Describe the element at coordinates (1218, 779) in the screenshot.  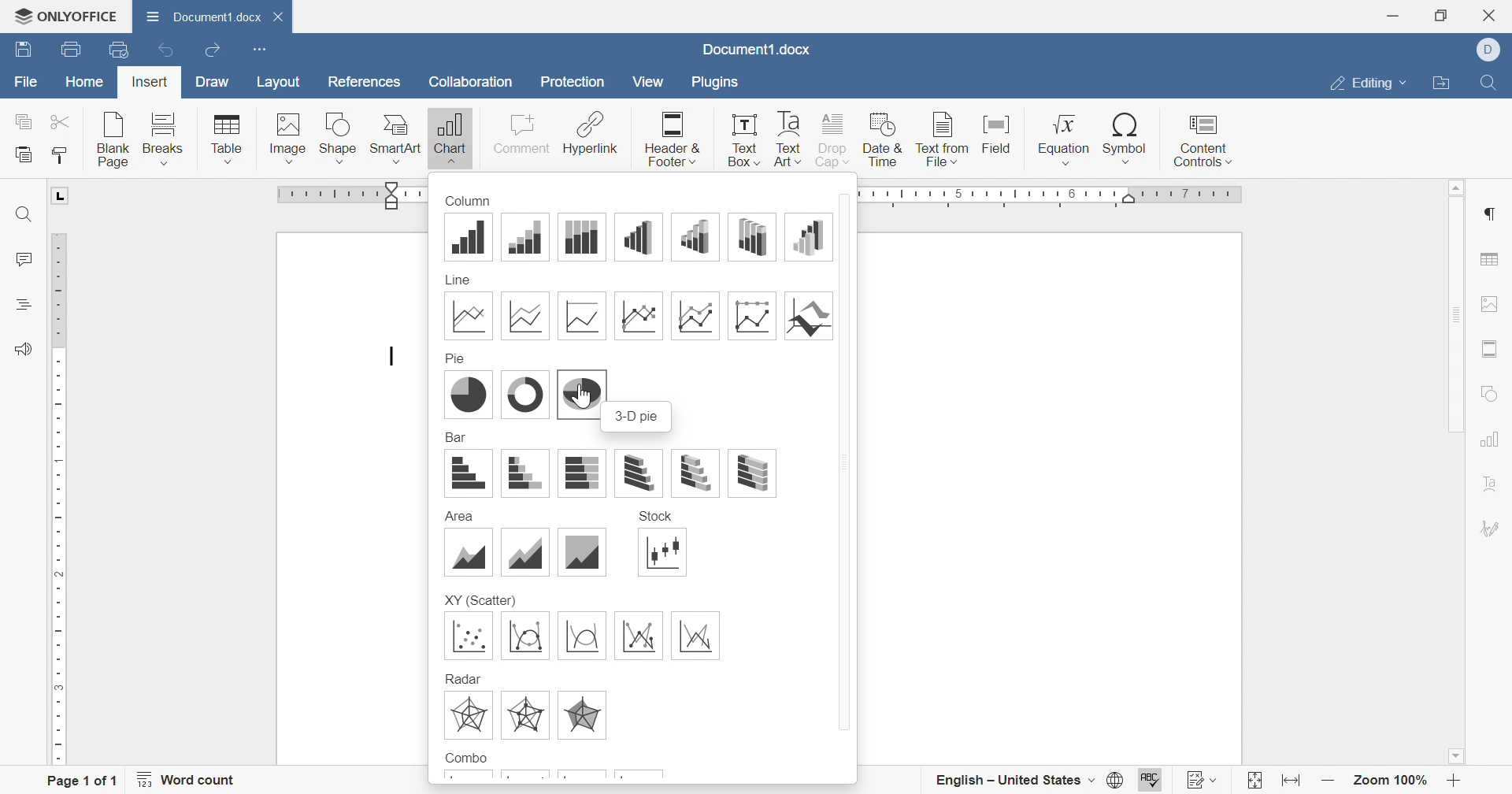
I see `Drop Down` at that location.